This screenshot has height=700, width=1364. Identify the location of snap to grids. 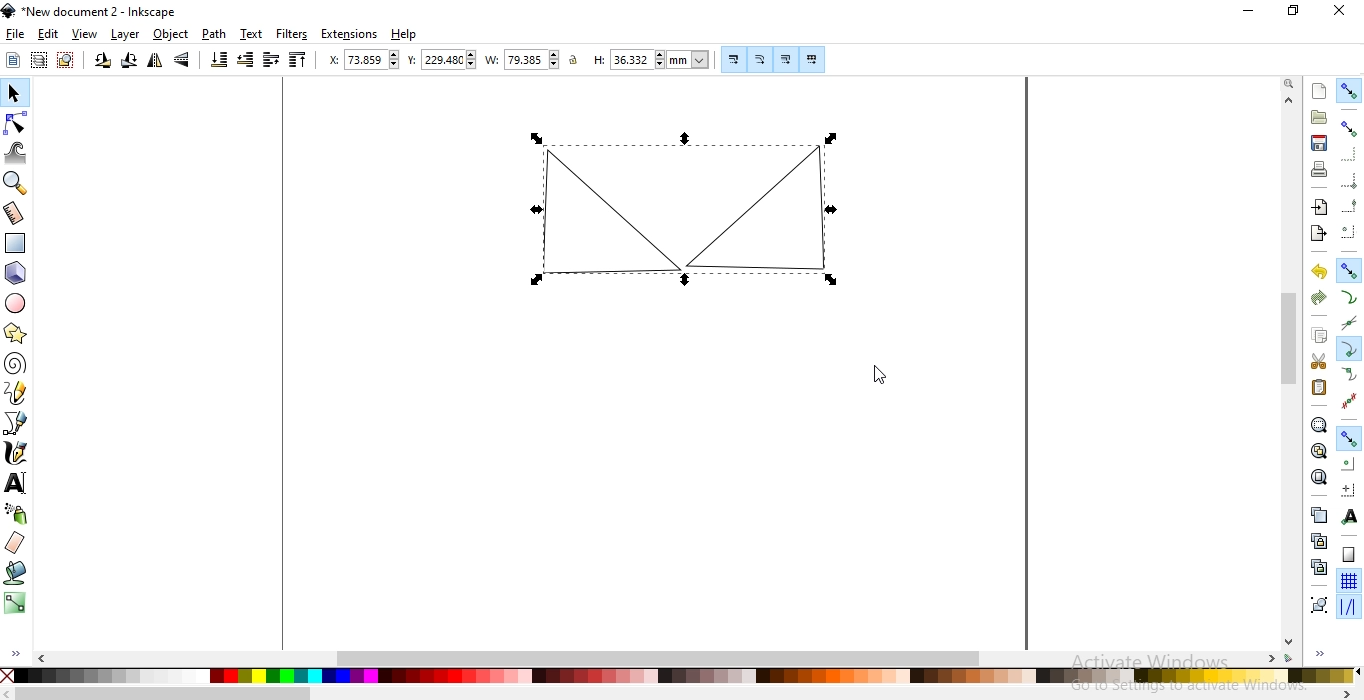
(1348, 581).